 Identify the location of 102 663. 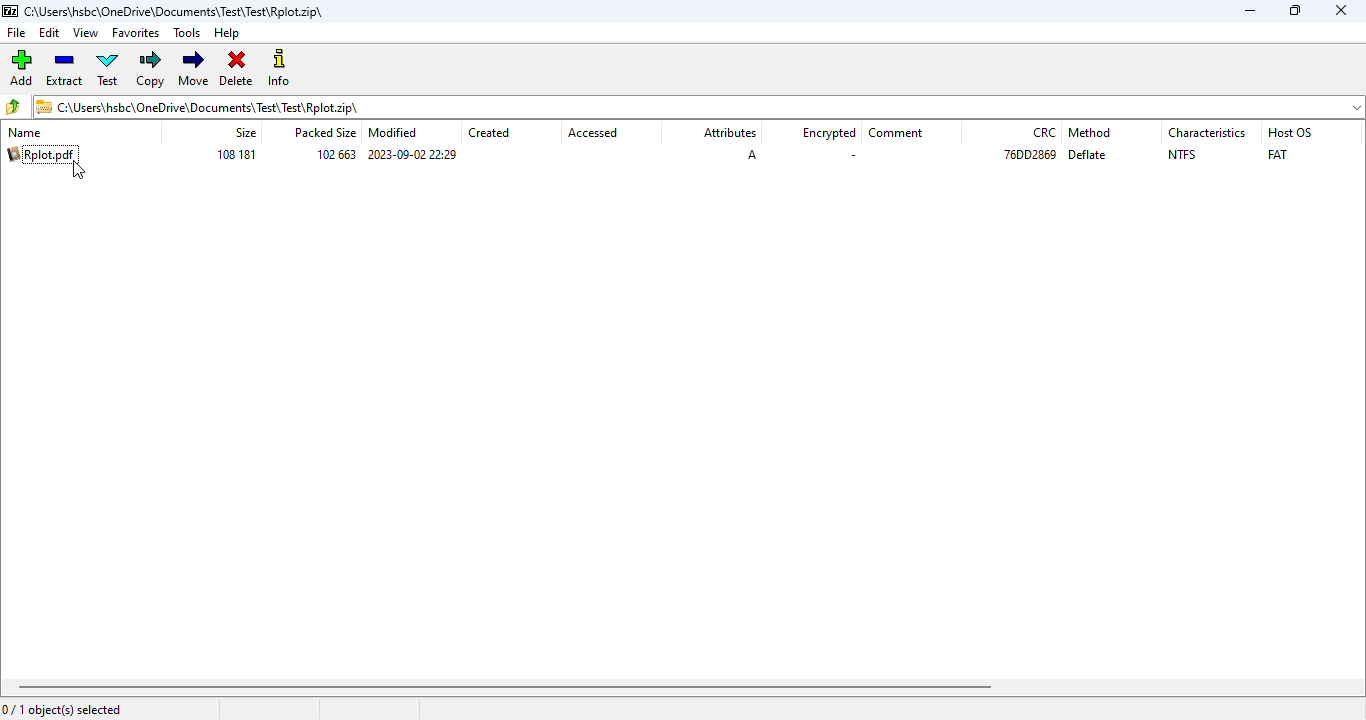
(336, 155).